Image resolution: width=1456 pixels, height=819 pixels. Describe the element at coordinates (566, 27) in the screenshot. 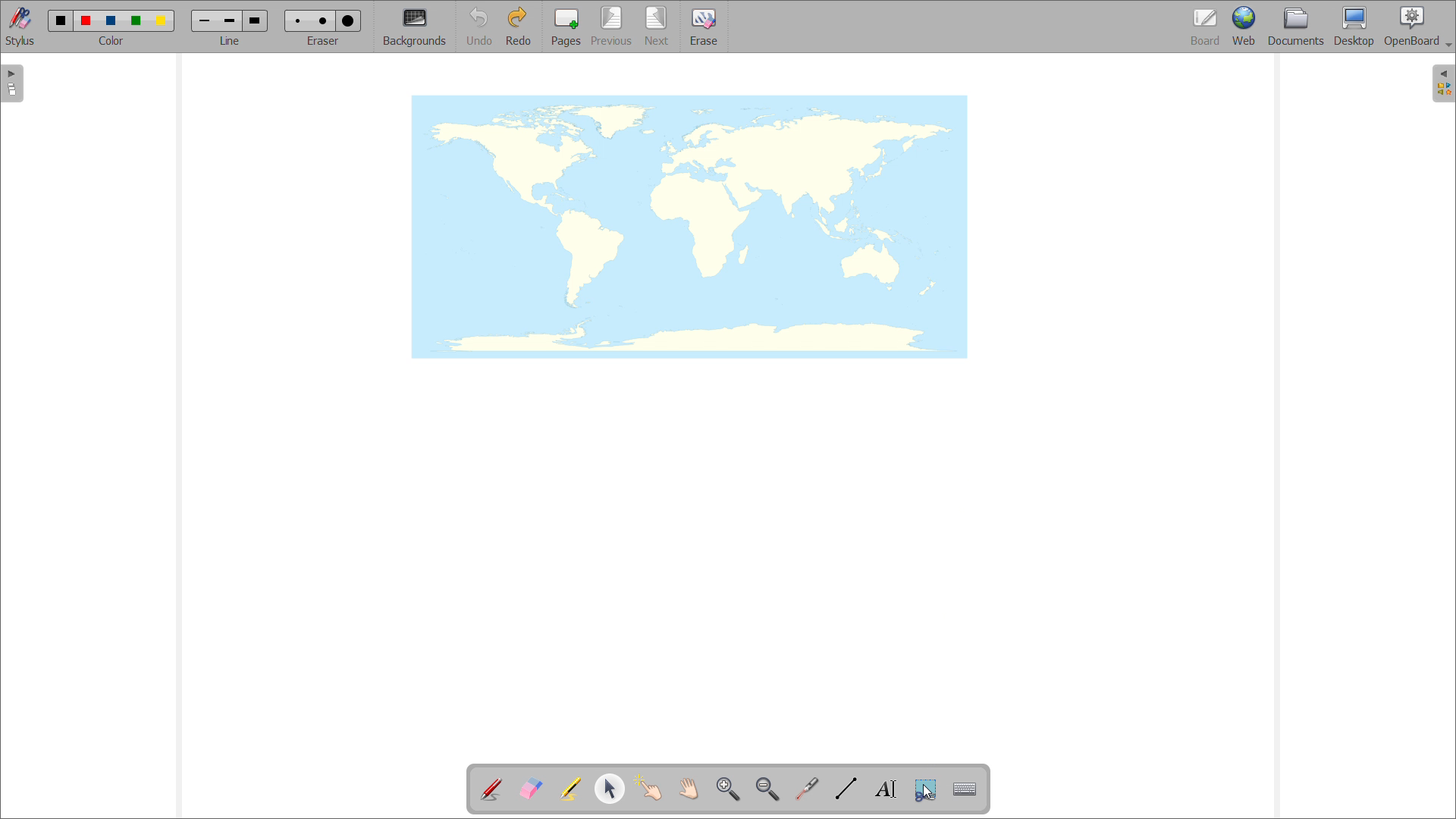

I see `add pages` at that location.